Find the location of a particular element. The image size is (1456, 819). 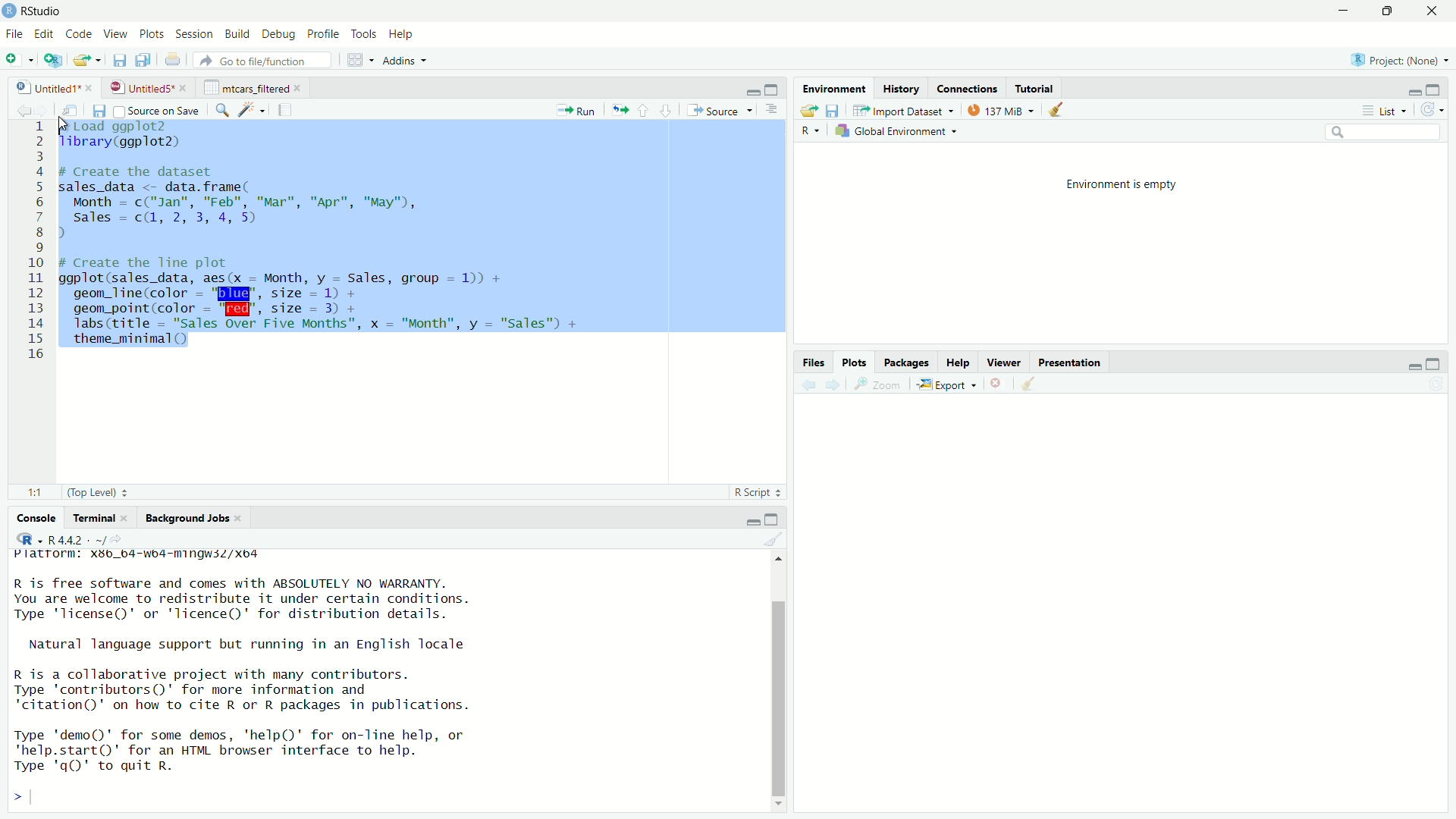

clear all plots is located at coordinates (1029, 383).